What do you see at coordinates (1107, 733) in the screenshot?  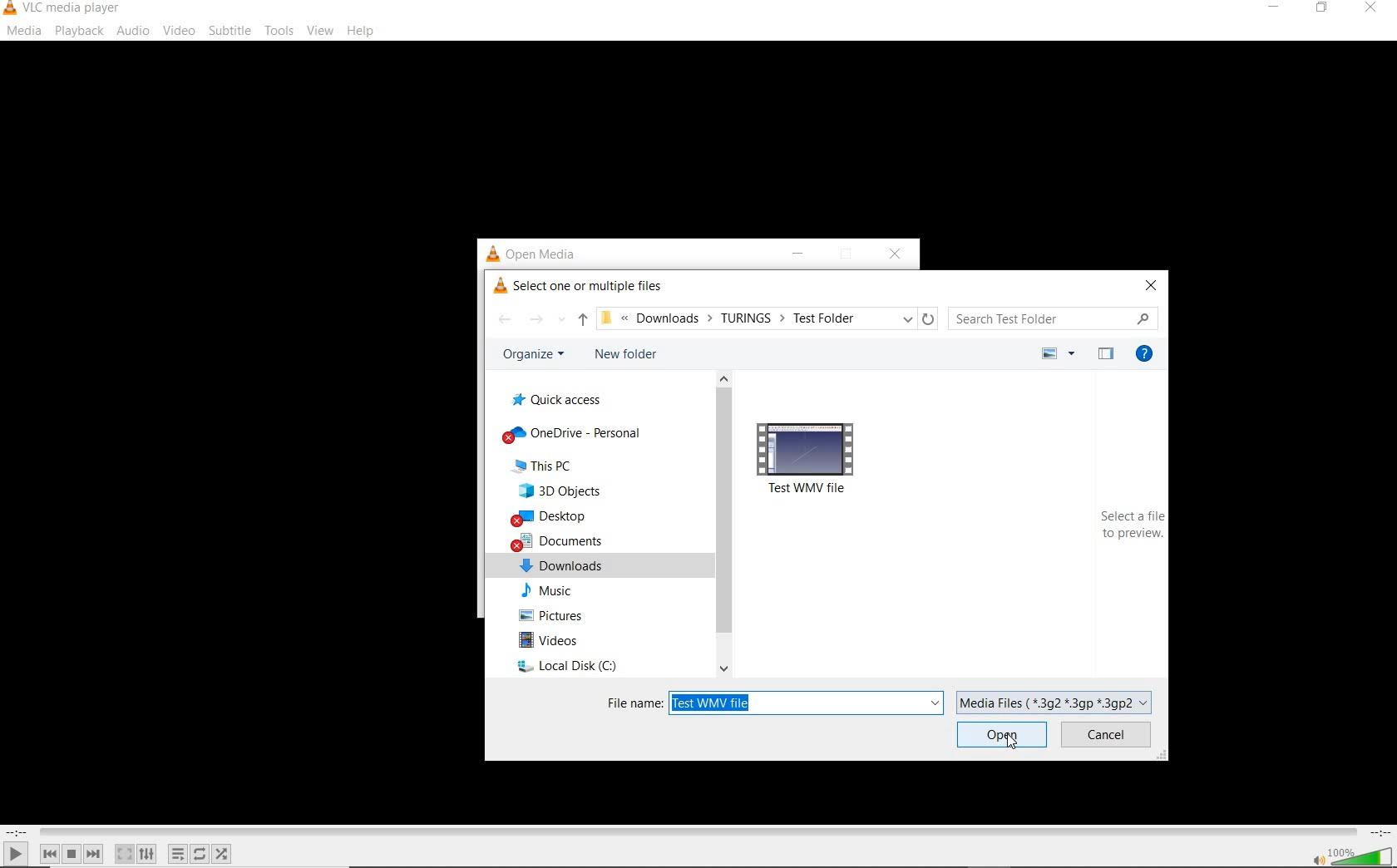 I see `cancel` at bounding box center [1107, 733].